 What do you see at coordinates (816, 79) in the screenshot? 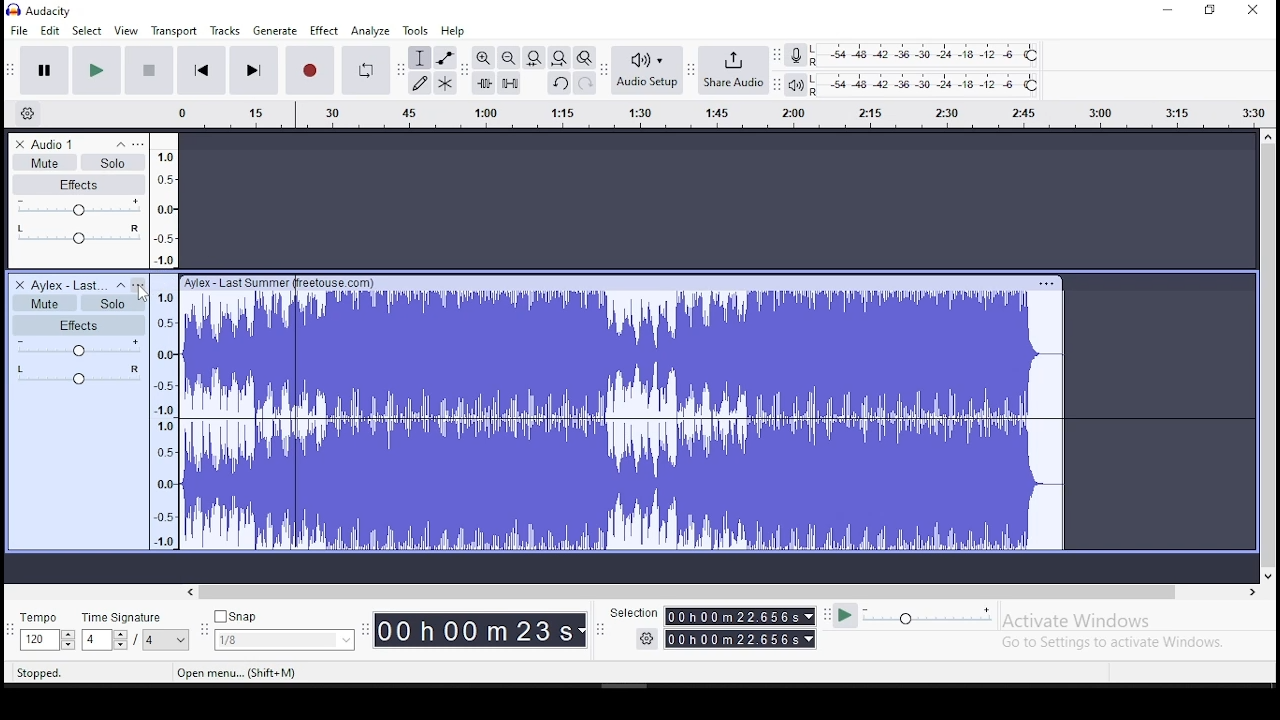
I see `L` at bounding box center [816, 79].